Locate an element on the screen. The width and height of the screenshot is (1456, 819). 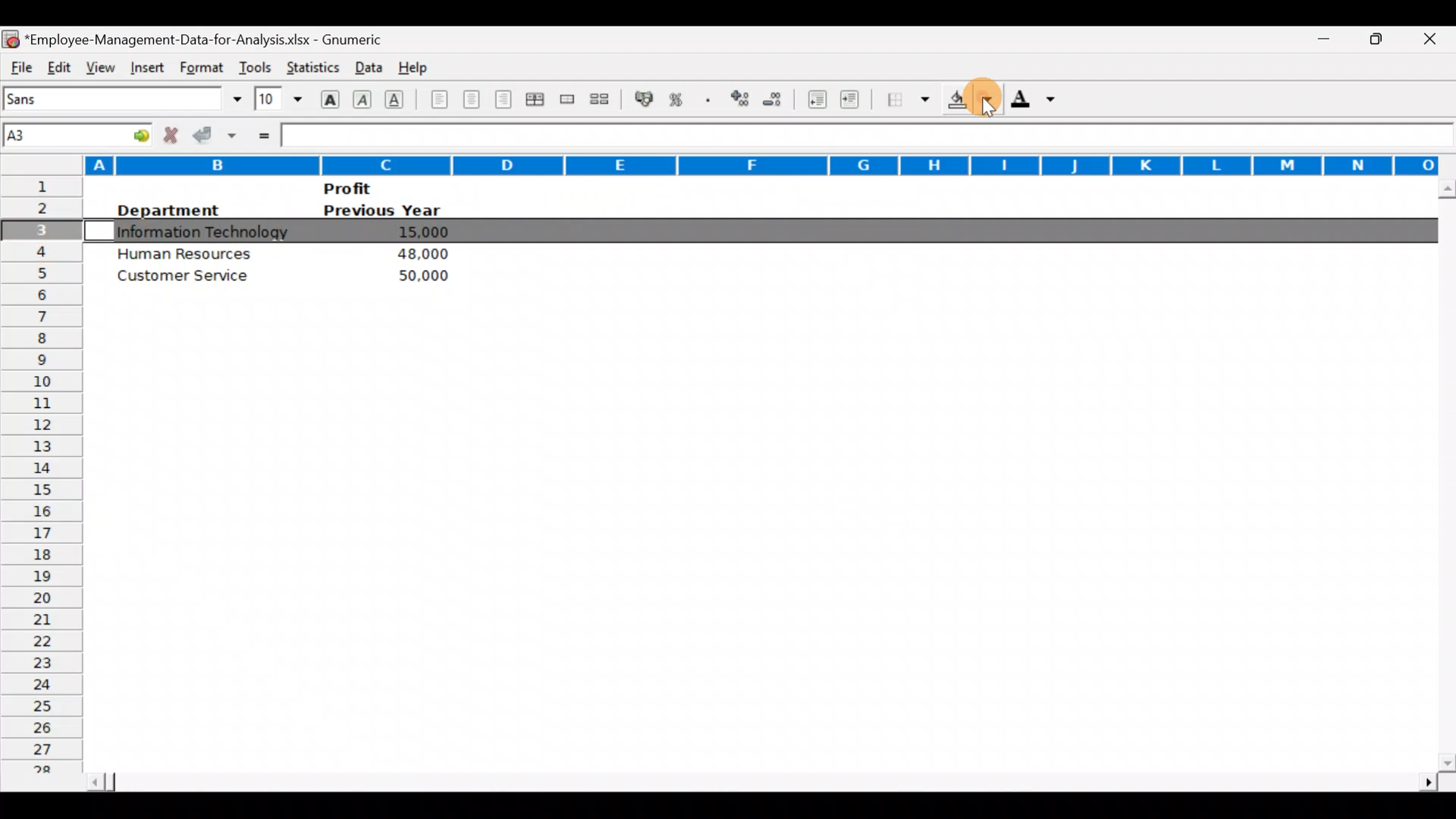
Bold is located at coordinates (328, 98).